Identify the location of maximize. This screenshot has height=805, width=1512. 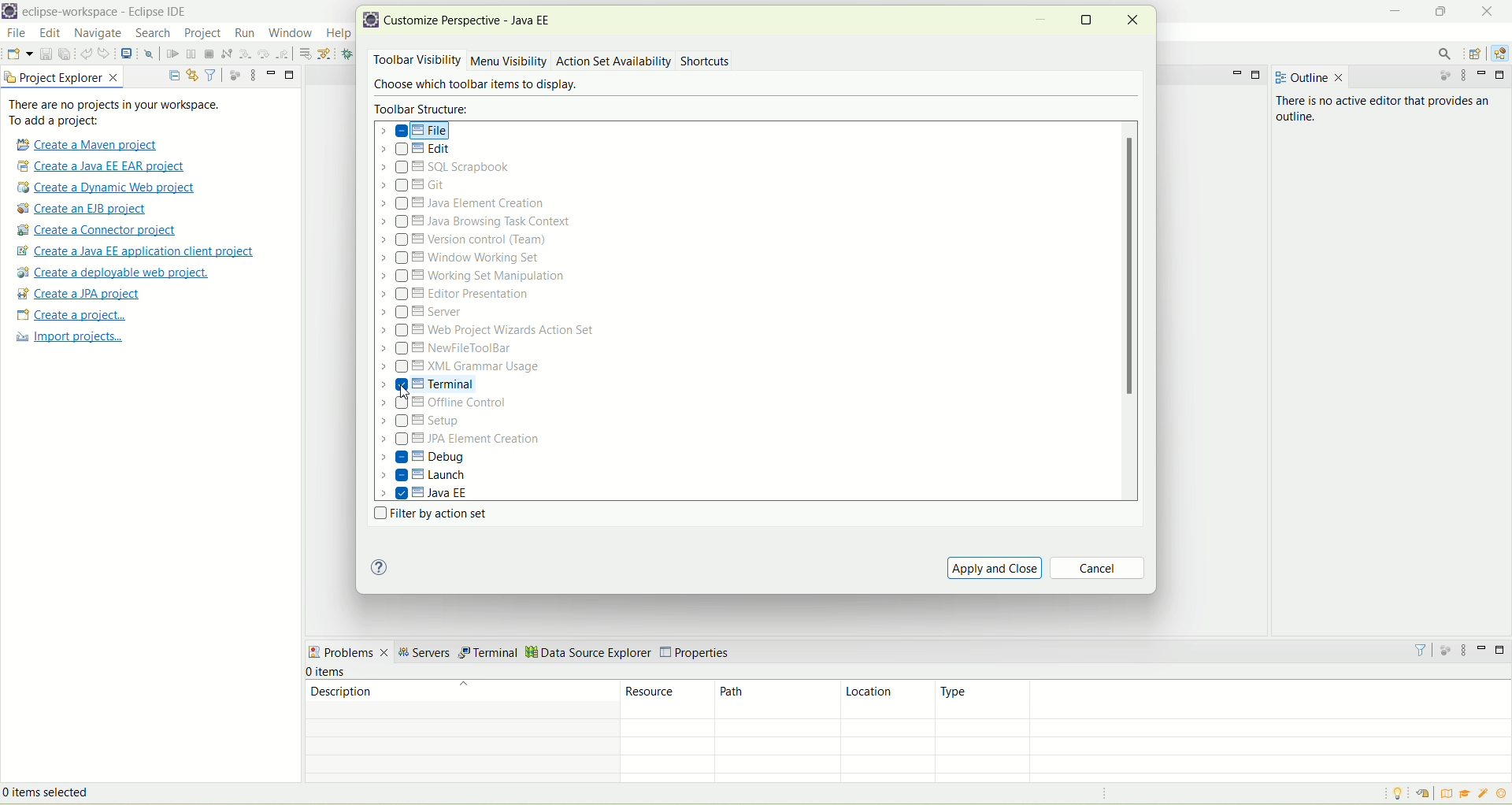
(1501, 650).